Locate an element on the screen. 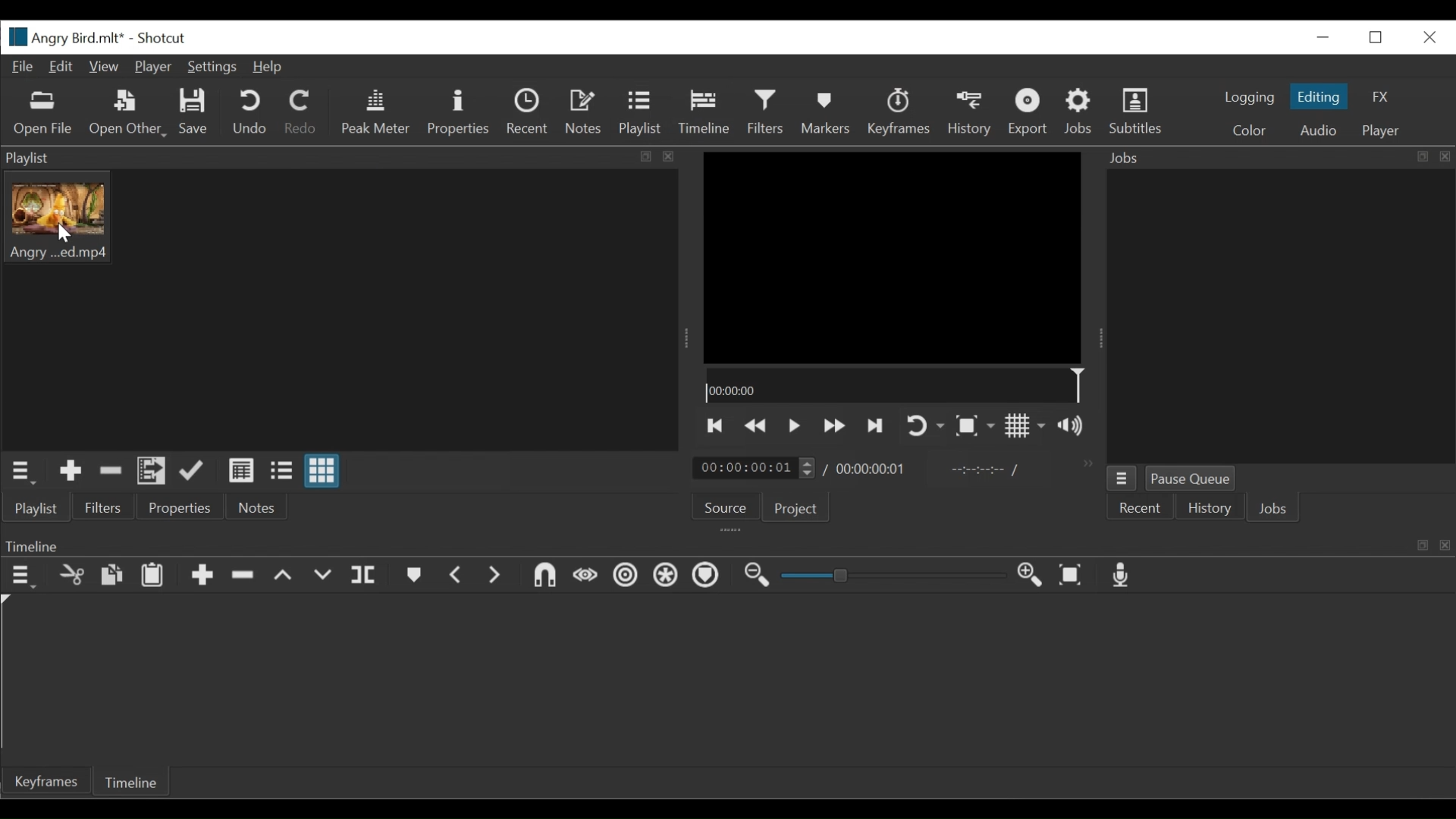 The width and height of the screenshot is (1456, 819). Skip to the next point is located at coordinates (877, 427).